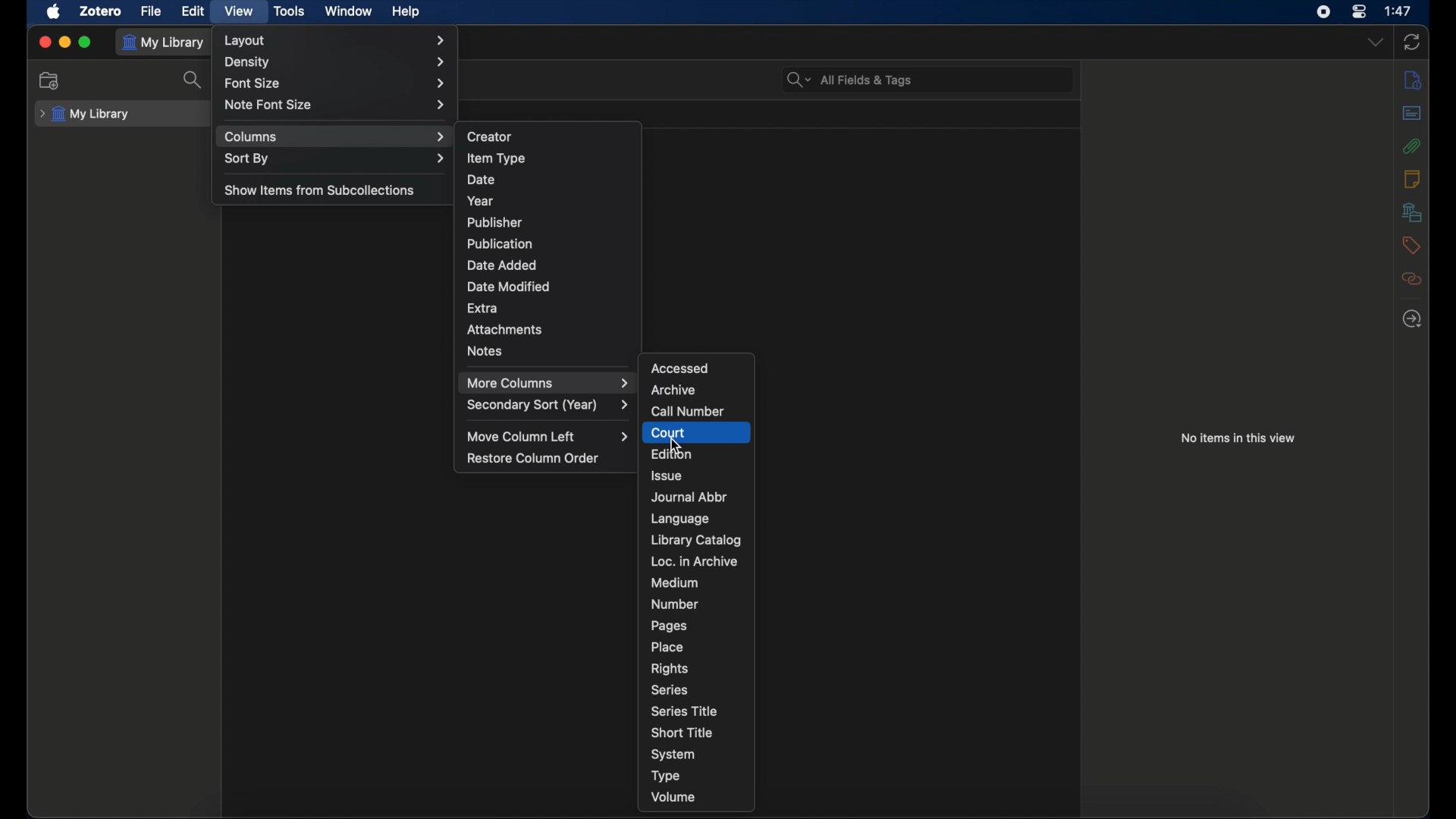 The height and width of the screenshot is (819, 1456). What do you see at coordinates (65, 41) in the screenshot?
I see `minimize` at bounding box center [65, 41].